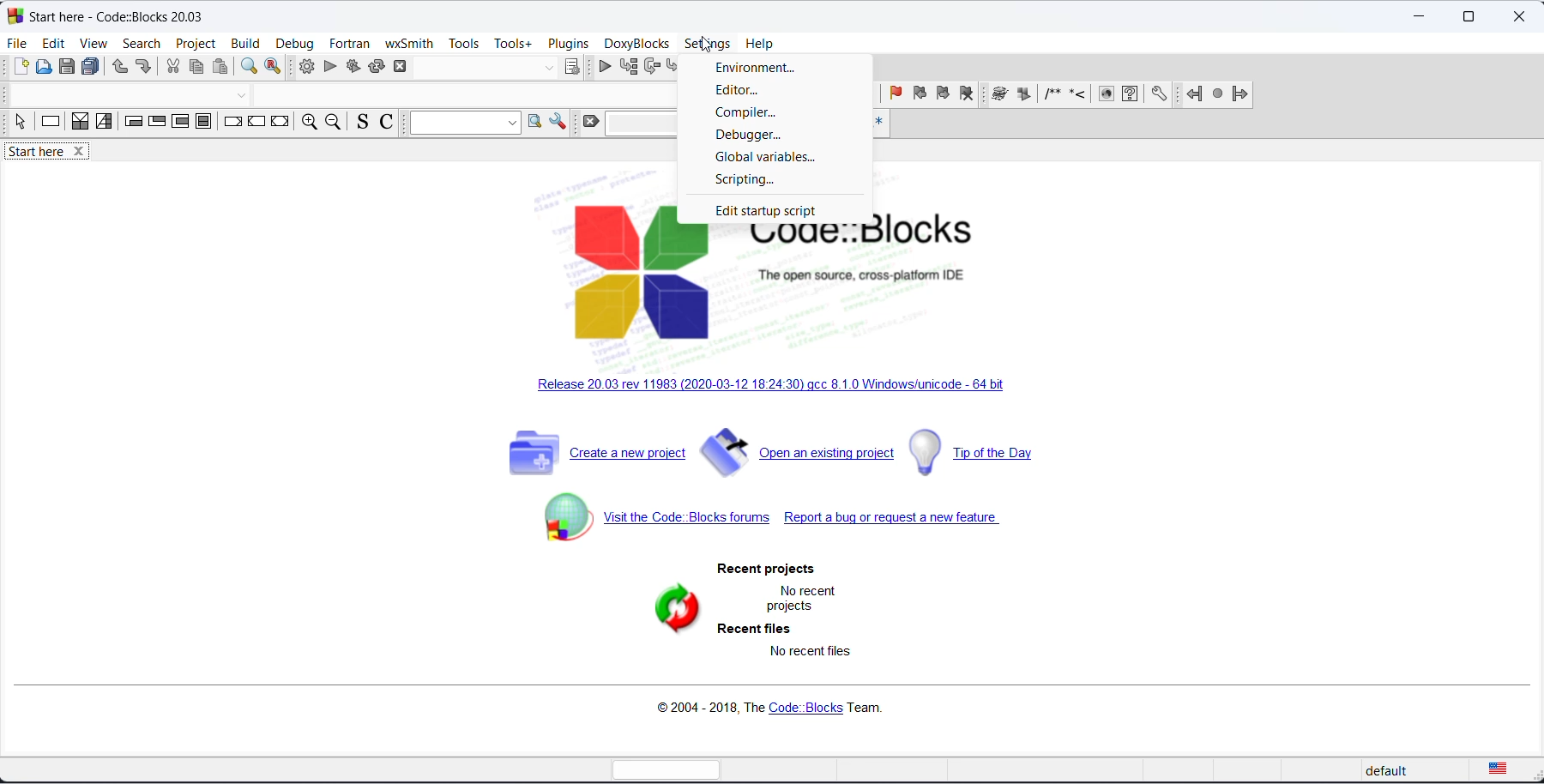 This screenshot has width=1544, height=784. What do you see at coordinates (335, 121) in the screenshot?
I see `zoom out` at bounding box center [335, 121].